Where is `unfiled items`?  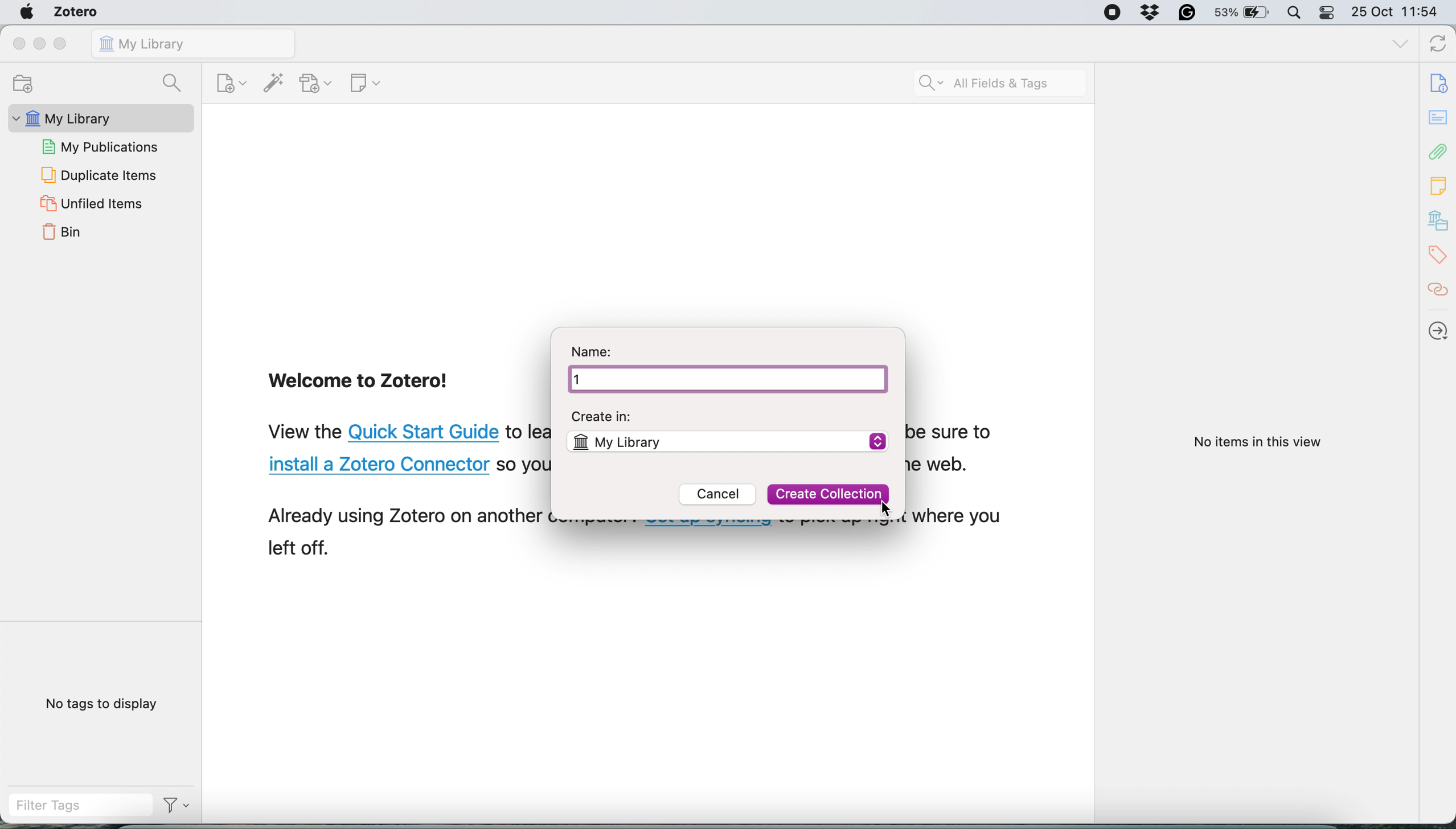 unfiled items is located at coordinates (89, 204).